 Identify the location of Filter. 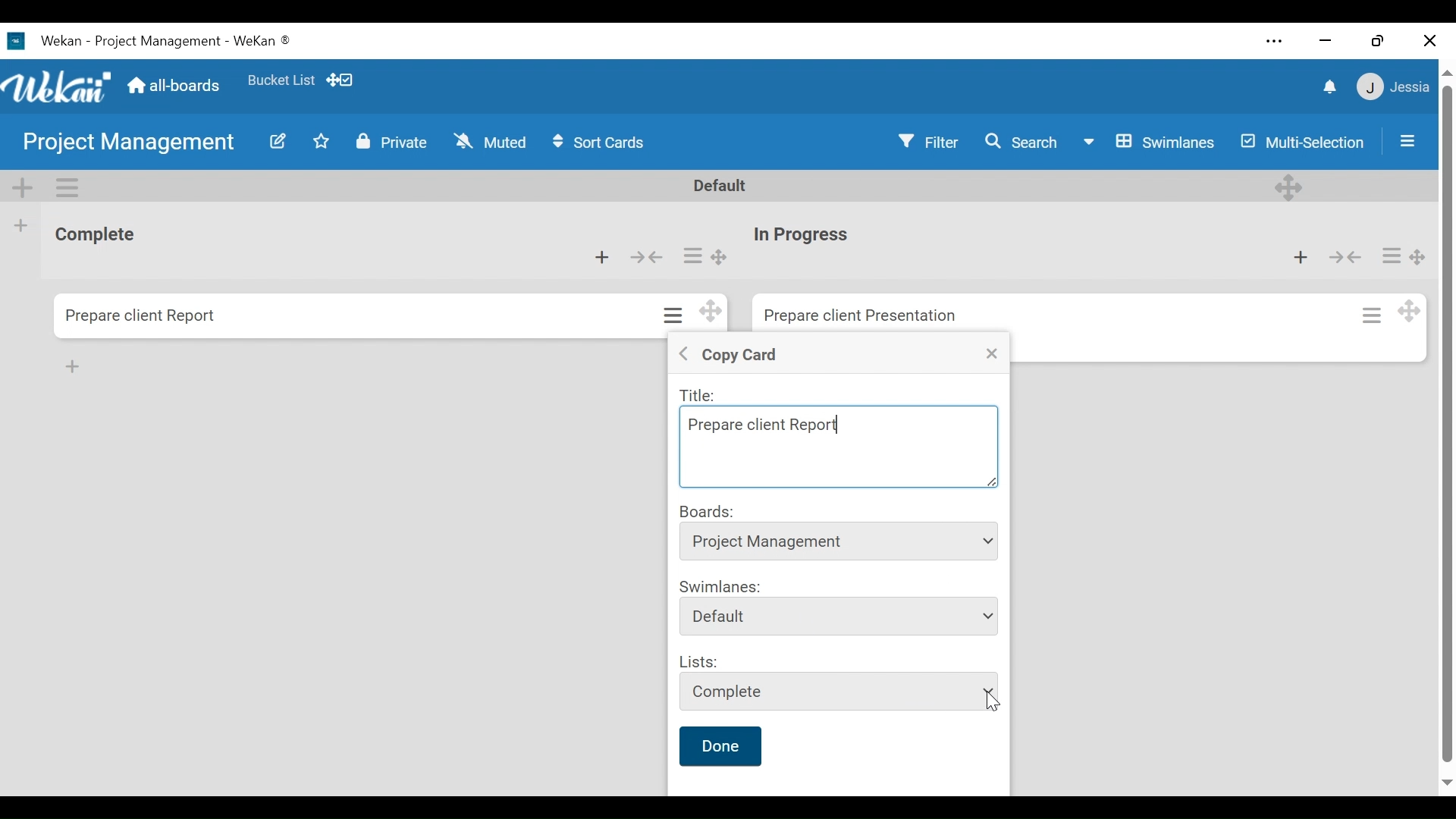
(934, 140).